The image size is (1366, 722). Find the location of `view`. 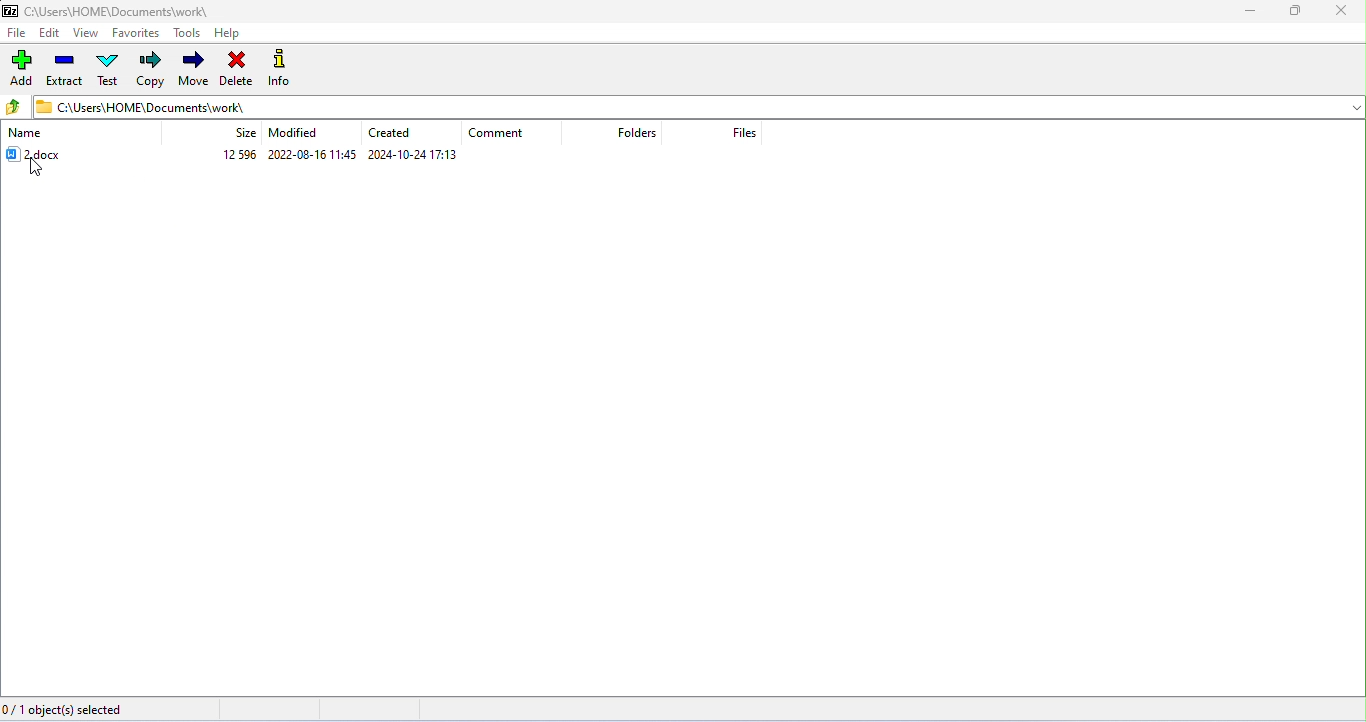

view is located at coordinates (85, 32).